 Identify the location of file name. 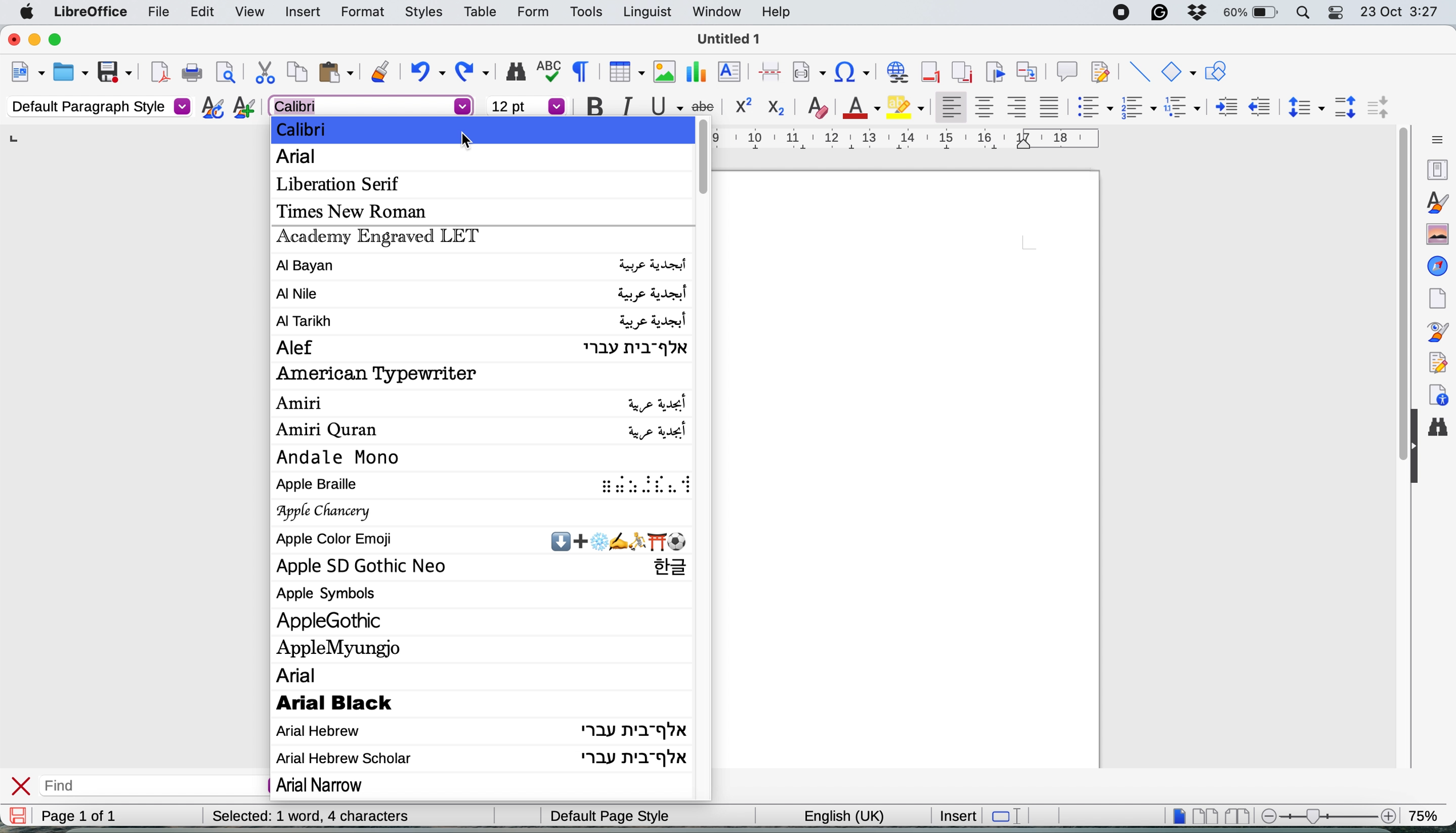
(730, 39).